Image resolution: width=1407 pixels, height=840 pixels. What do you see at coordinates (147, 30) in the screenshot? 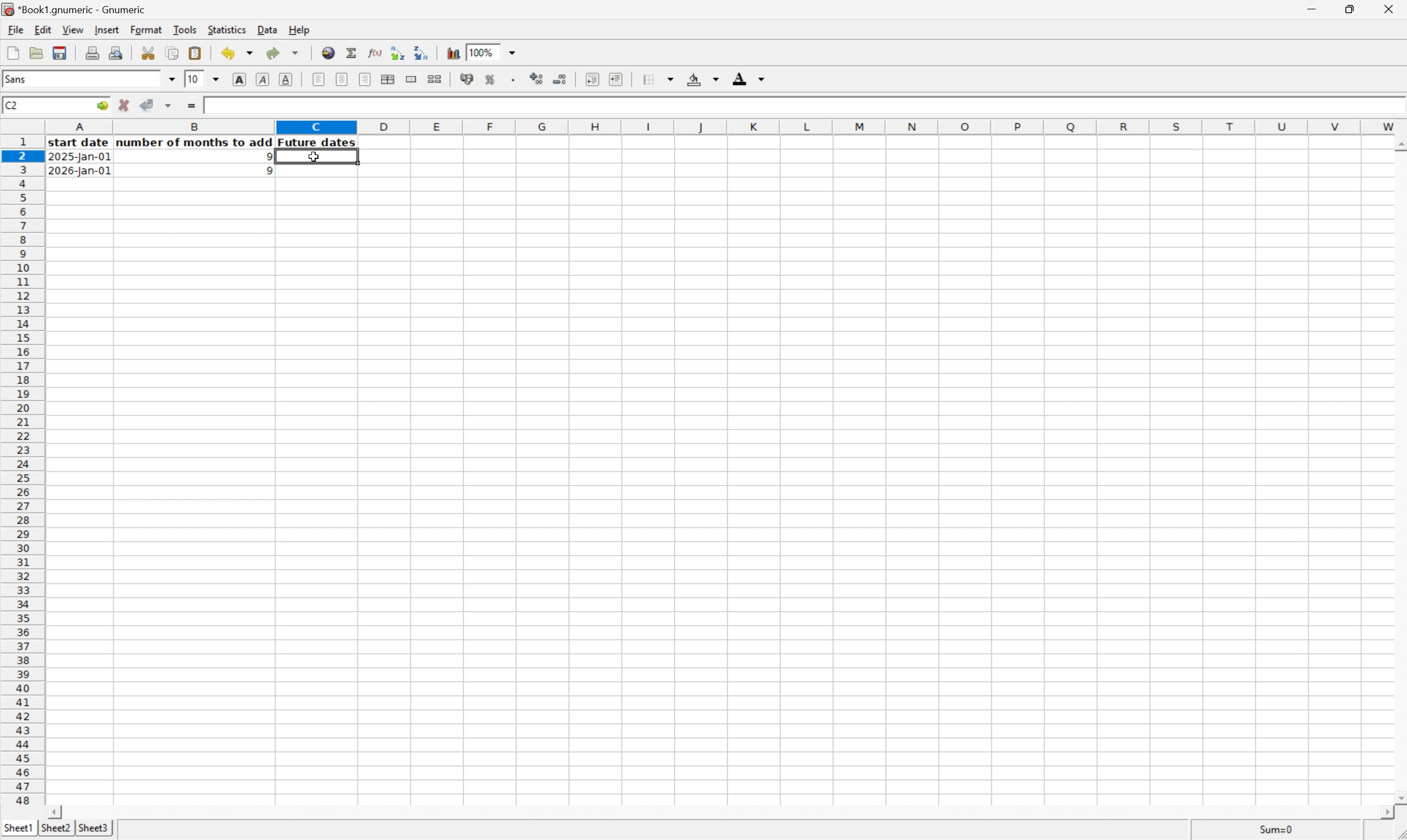
I see `Format` at bounding box center [147, 30].